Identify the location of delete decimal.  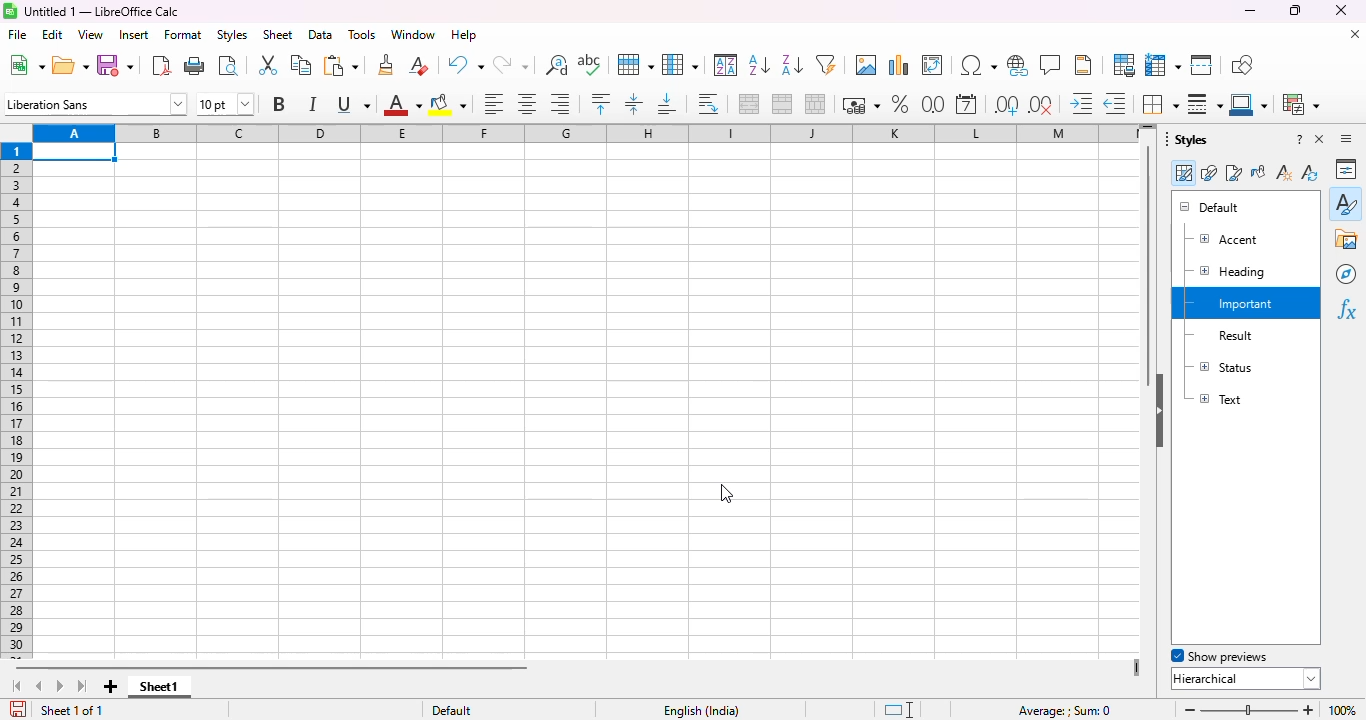
(1115, 103).